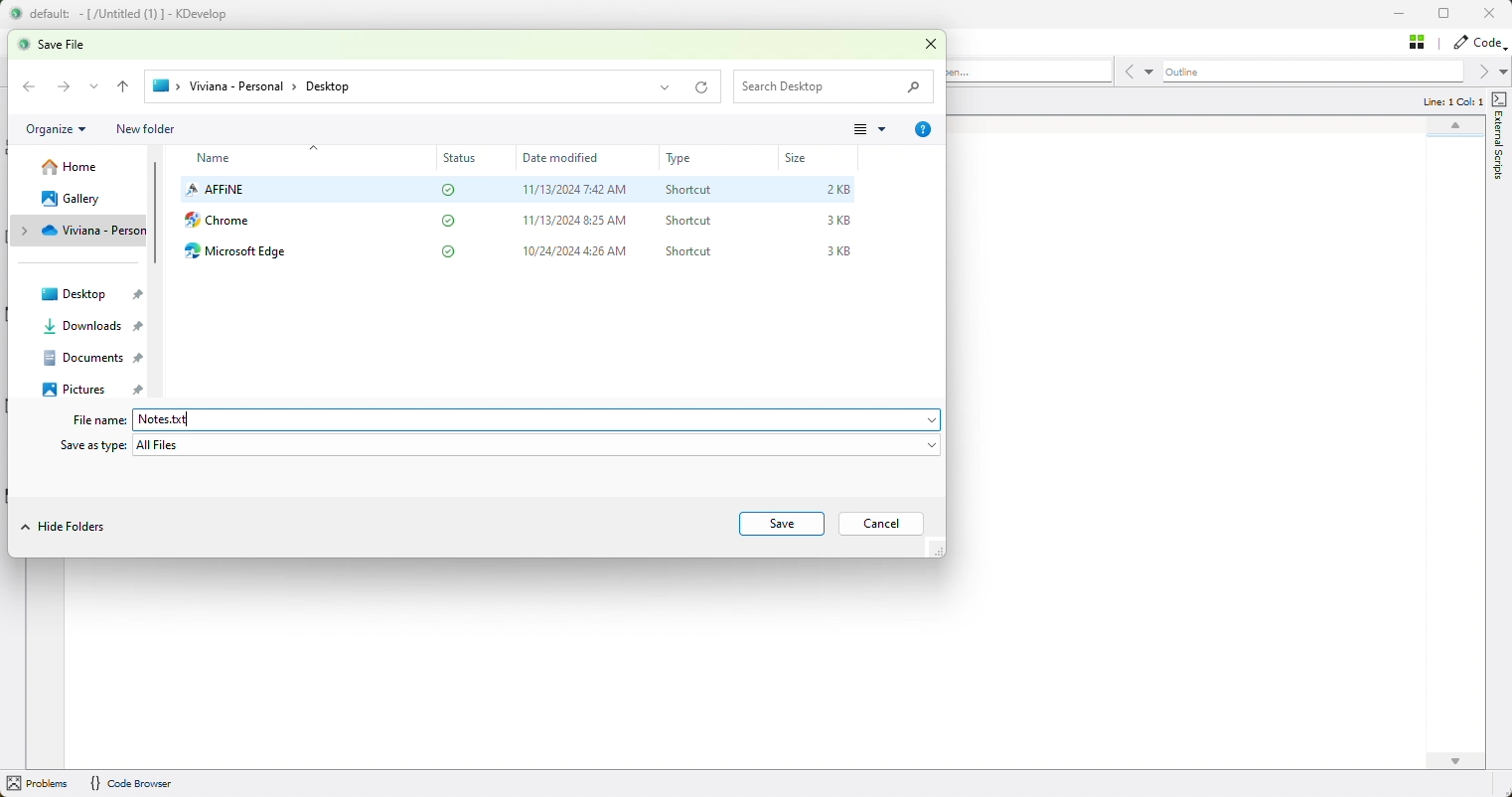 The height and width of the screenshot is (797, 1512). I want to click on logo, so click(14, 15).